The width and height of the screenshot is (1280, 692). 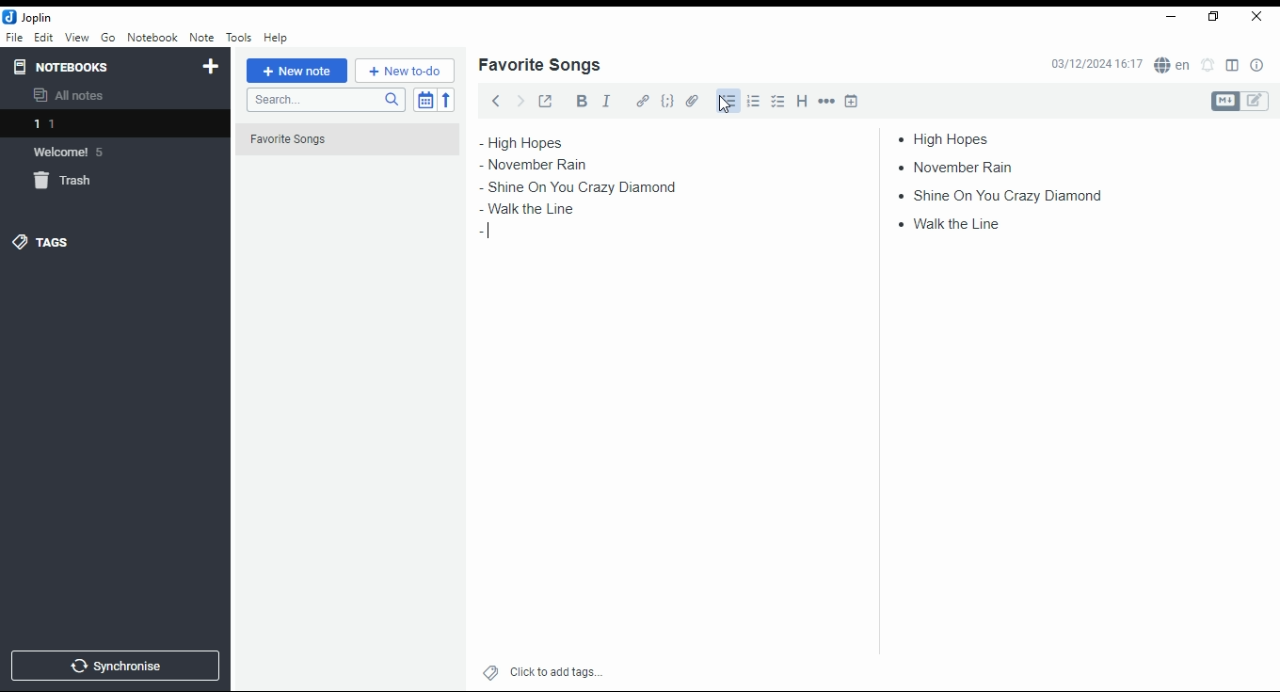 What do you see at coordinates (1096, 64) in the screenshot?
I see `03/12/2024 16:16` at bounding box center [1096, 64].